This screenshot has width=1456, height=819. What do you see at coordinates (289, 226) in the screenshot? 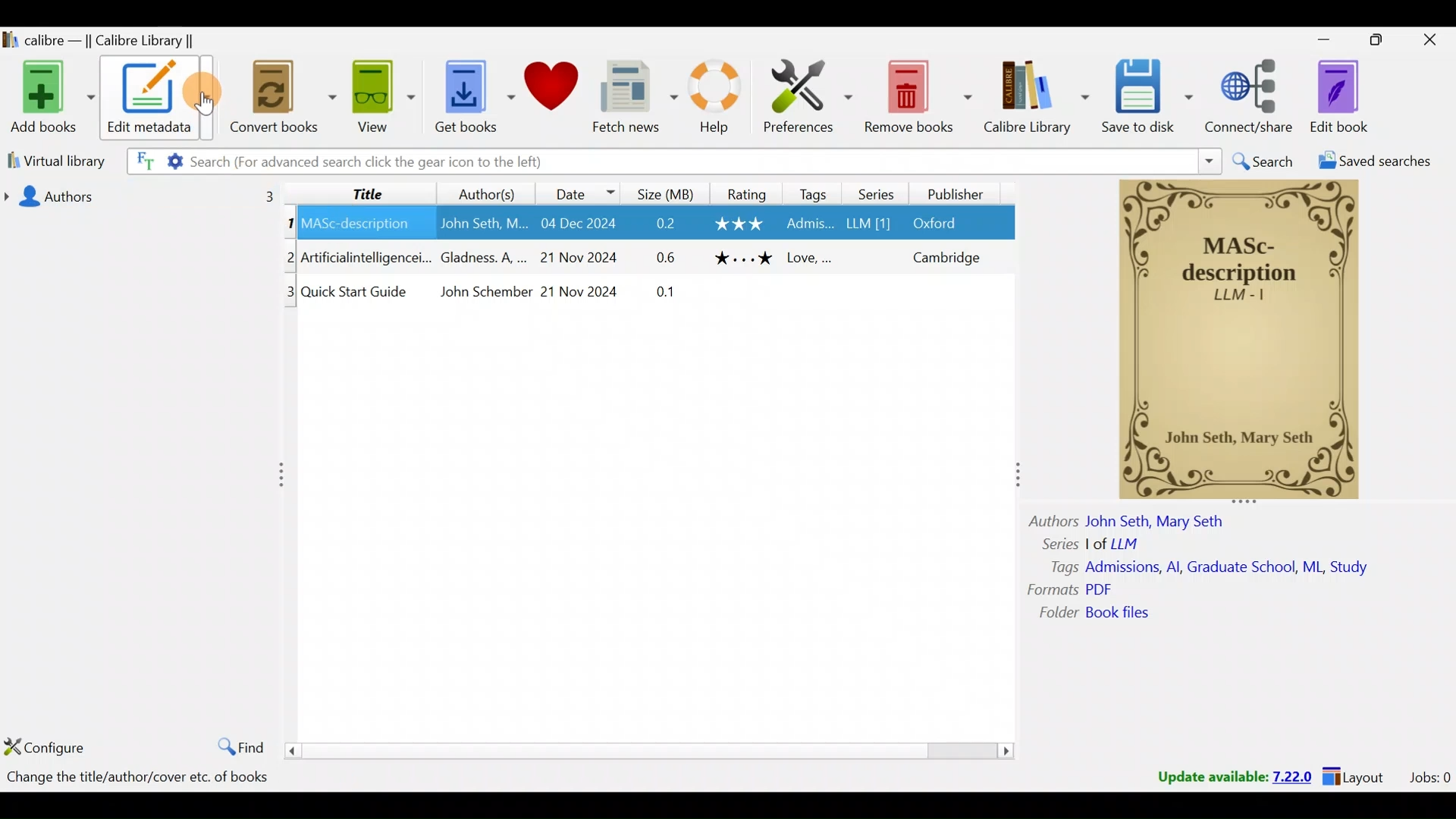
I see `` at bounding box center [289, 226].